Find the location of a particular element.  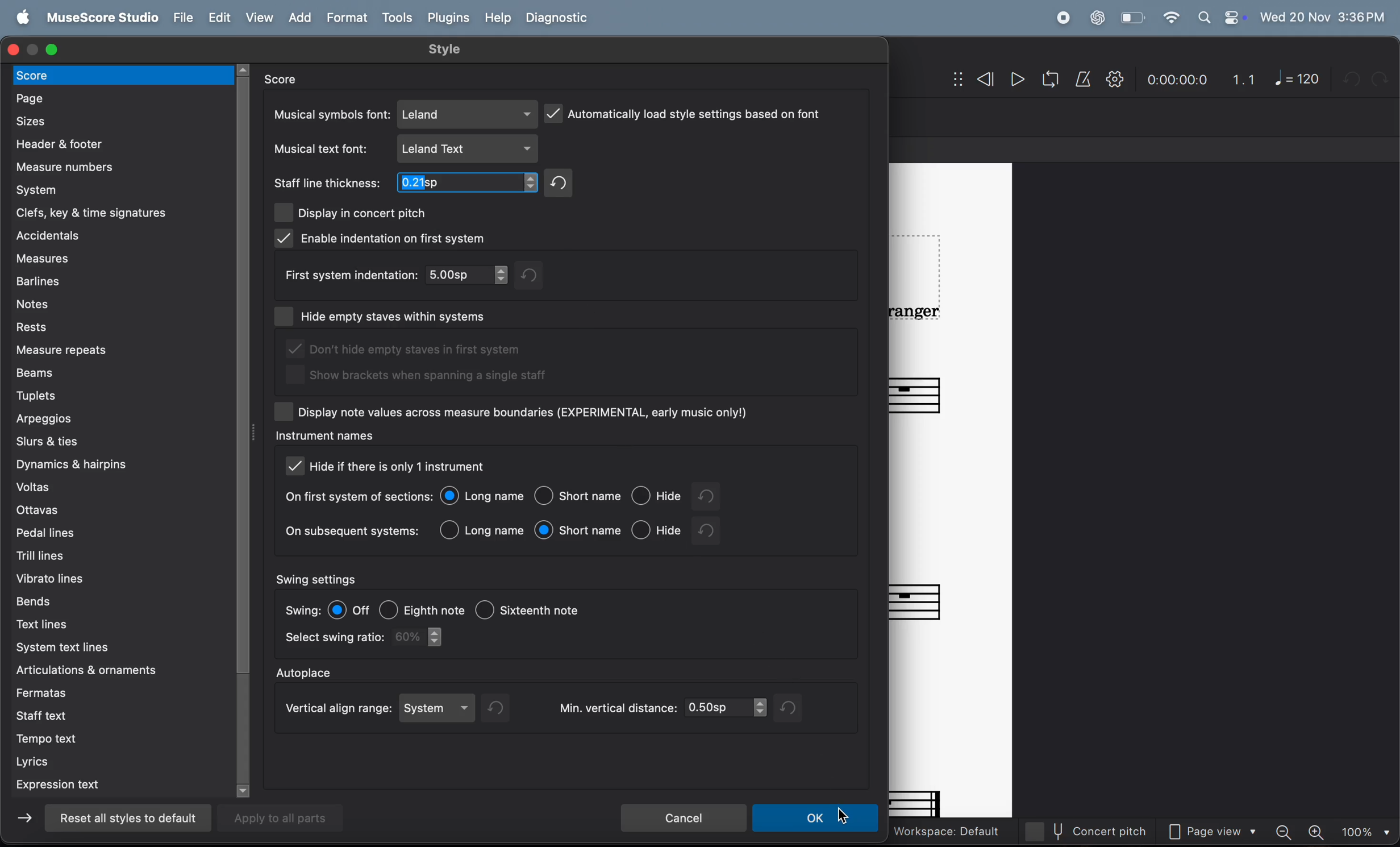

expression text is located at coordinates (116, 786).